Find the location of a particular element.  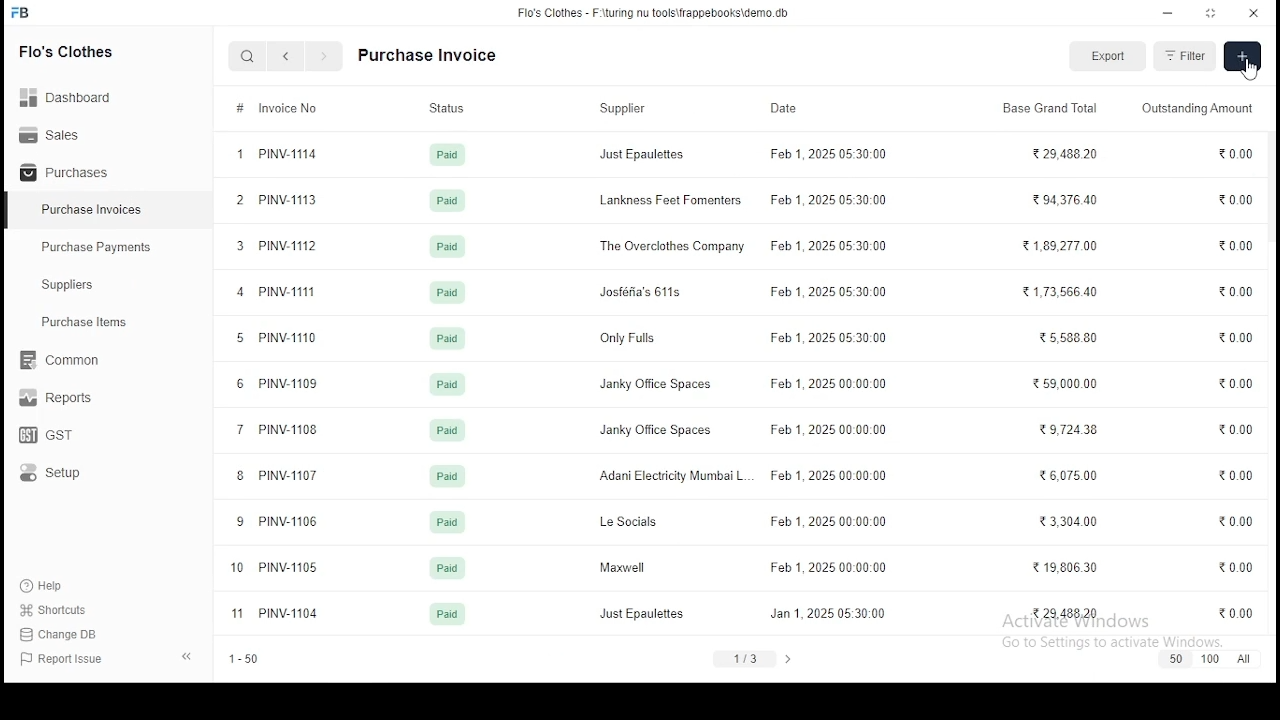

0.00 is located at coordinates (1238, 474).